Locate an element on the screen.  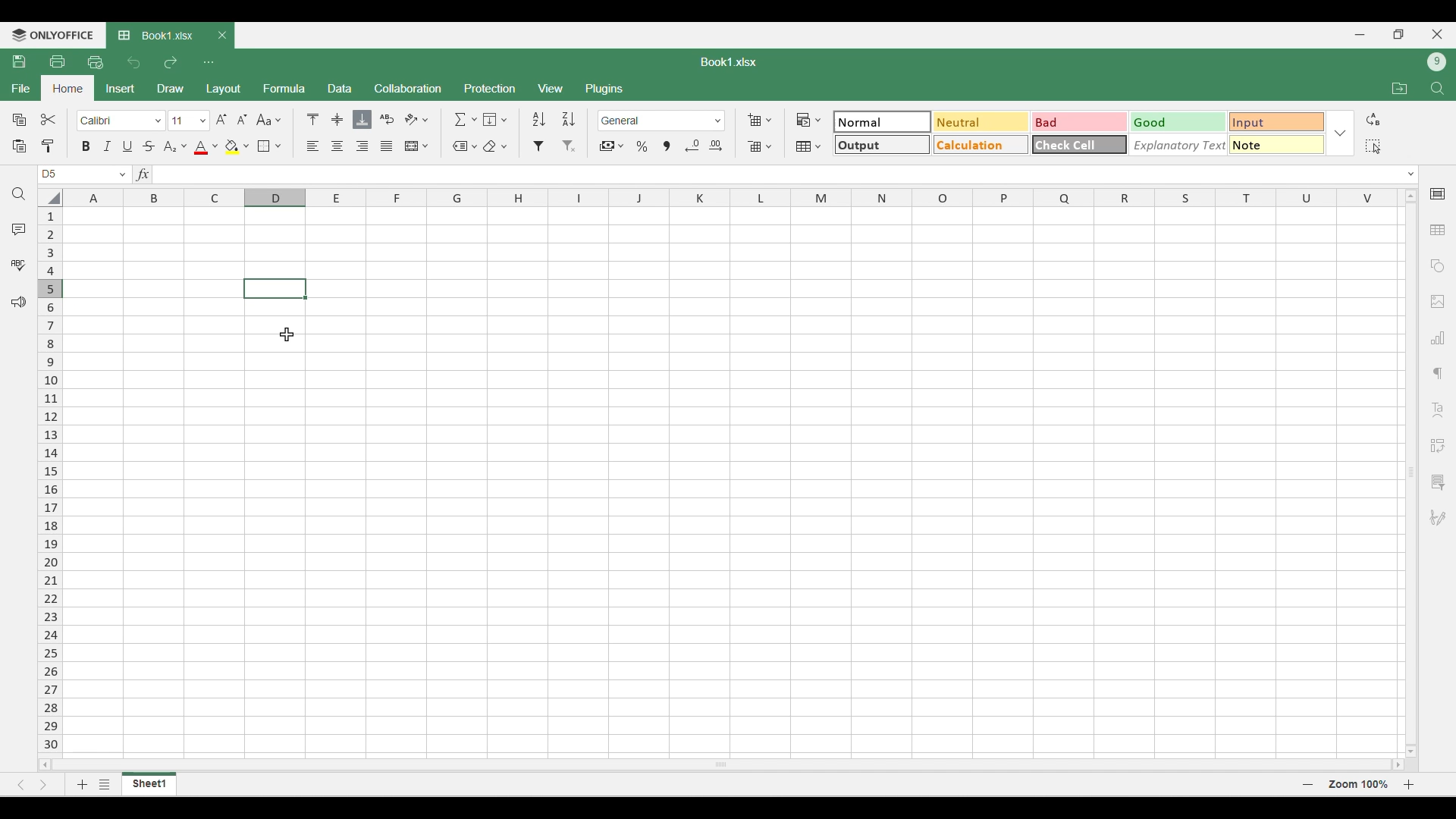
Insert shape is located at coordinates (1436, 266).